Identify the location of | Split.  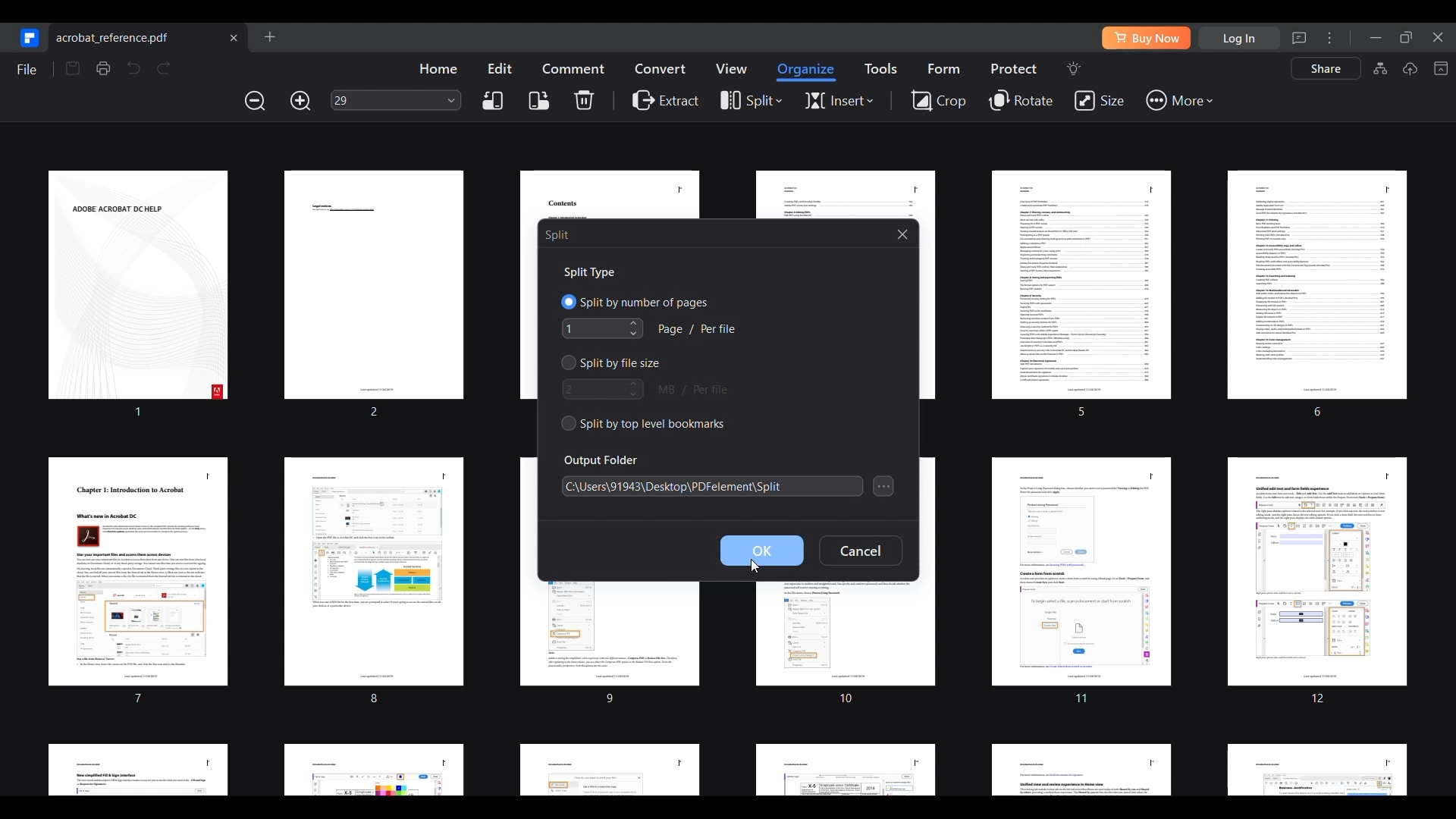
(584, 234).